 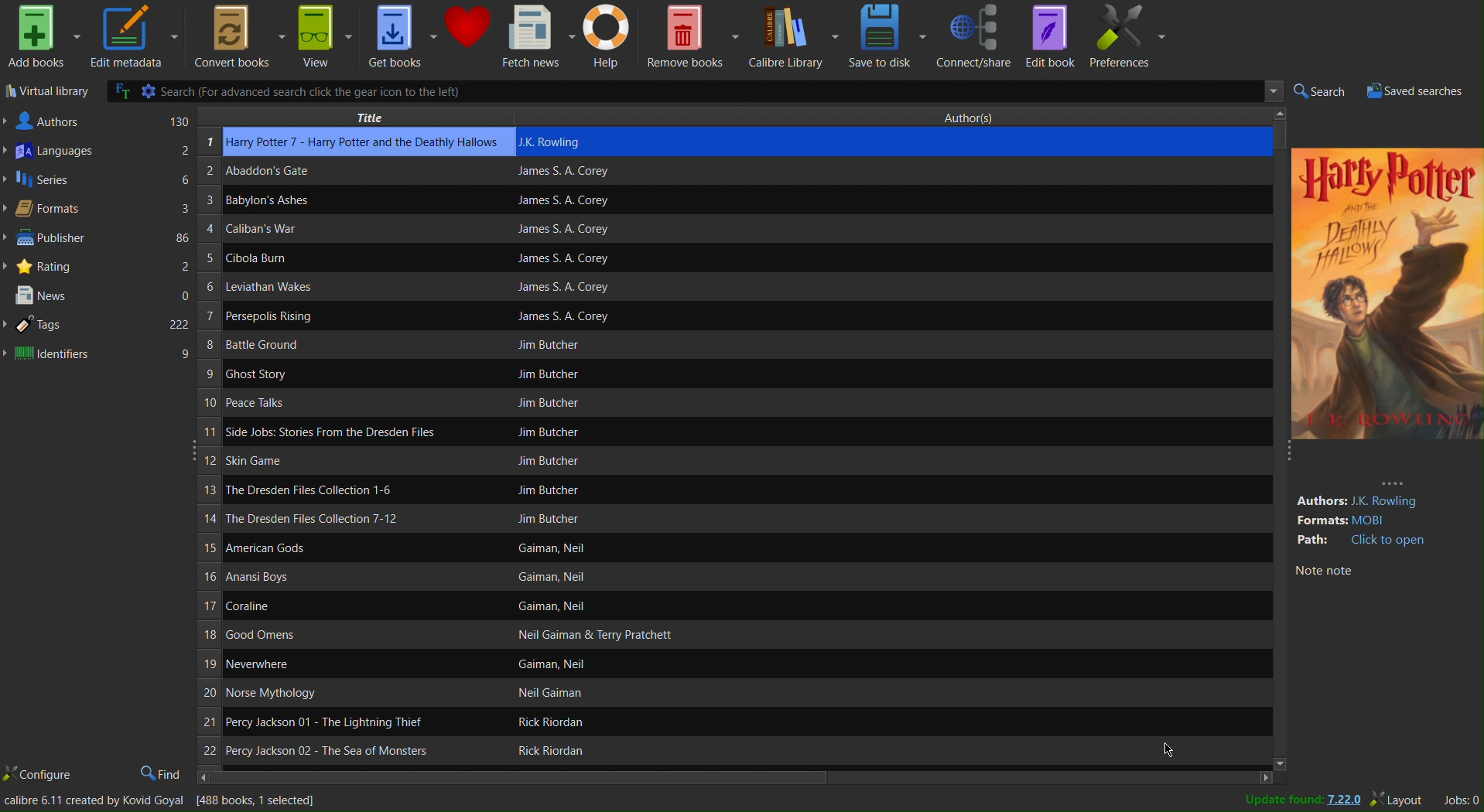 What do you see at coordinates (731, 374) in the screenshot?
I see `Author’s name` at bounding box center [731, 374].